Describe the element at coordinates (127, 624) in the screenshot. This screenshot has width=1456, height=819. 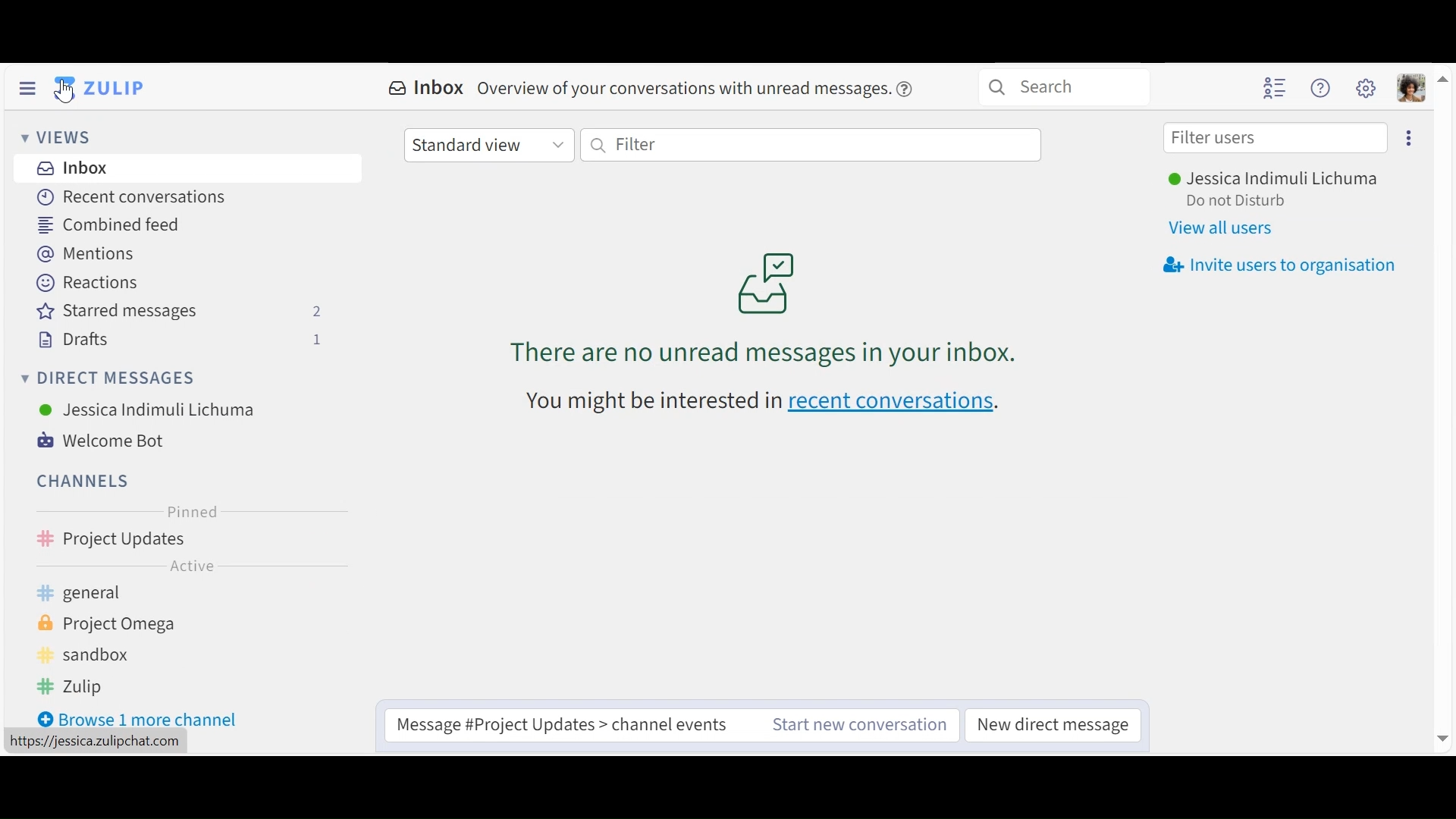
I see `Project Omega` at that location.